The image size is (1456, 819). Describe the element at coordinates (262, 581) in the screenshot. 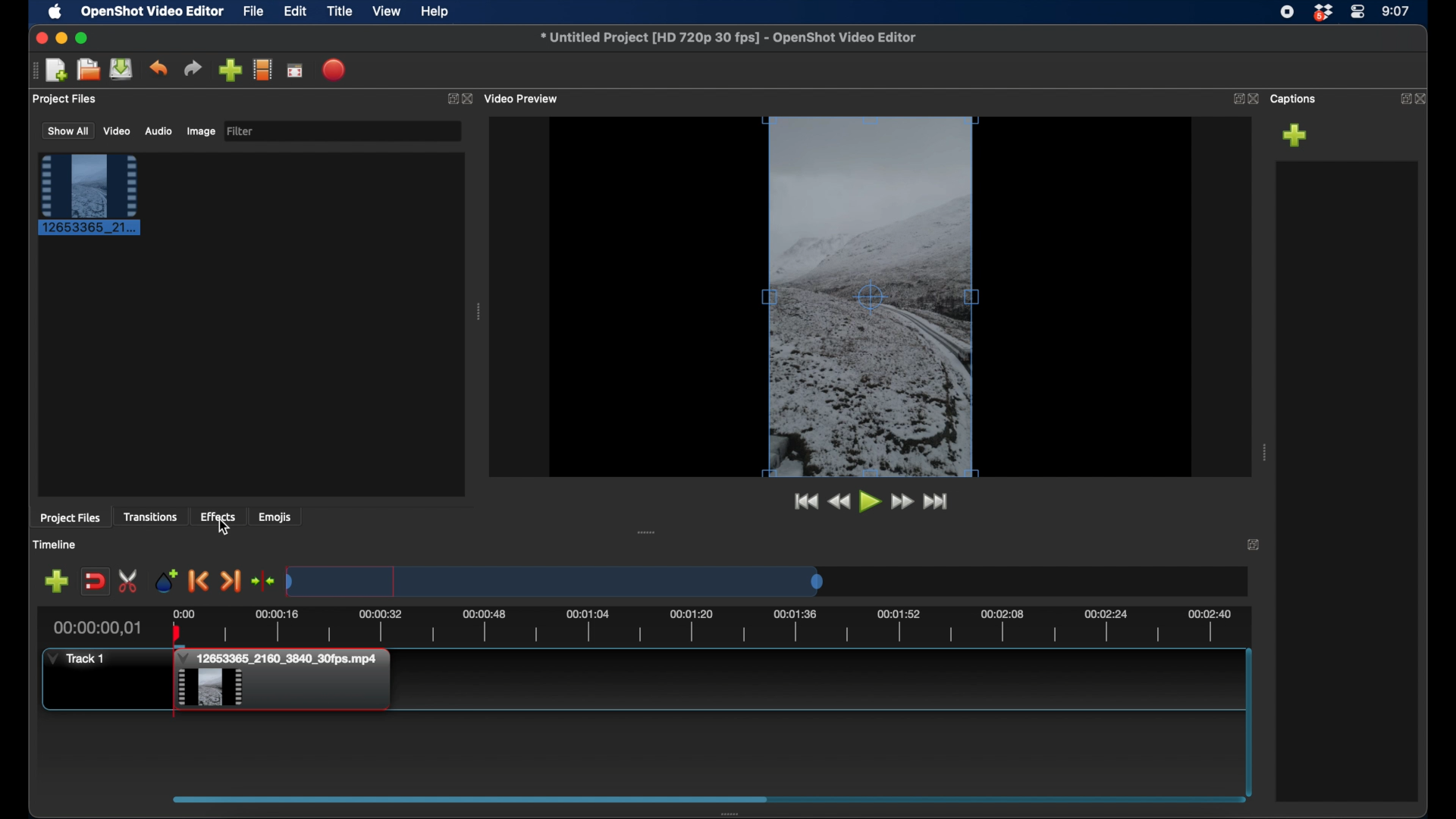

I see `center playhead on the timeline` at that location.